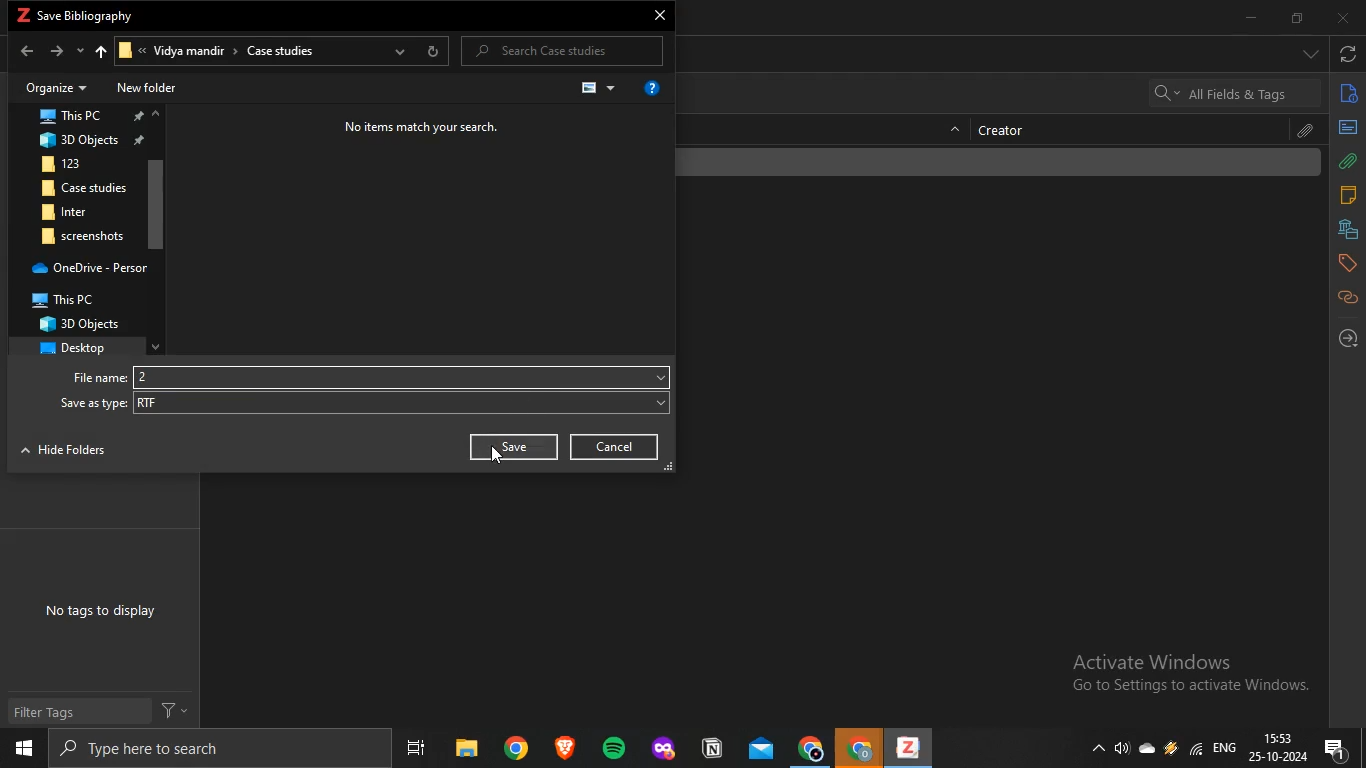  What do you see at coordinates (26, 54) in the screenshot?
I see `back` at bounding box center [26, 54].